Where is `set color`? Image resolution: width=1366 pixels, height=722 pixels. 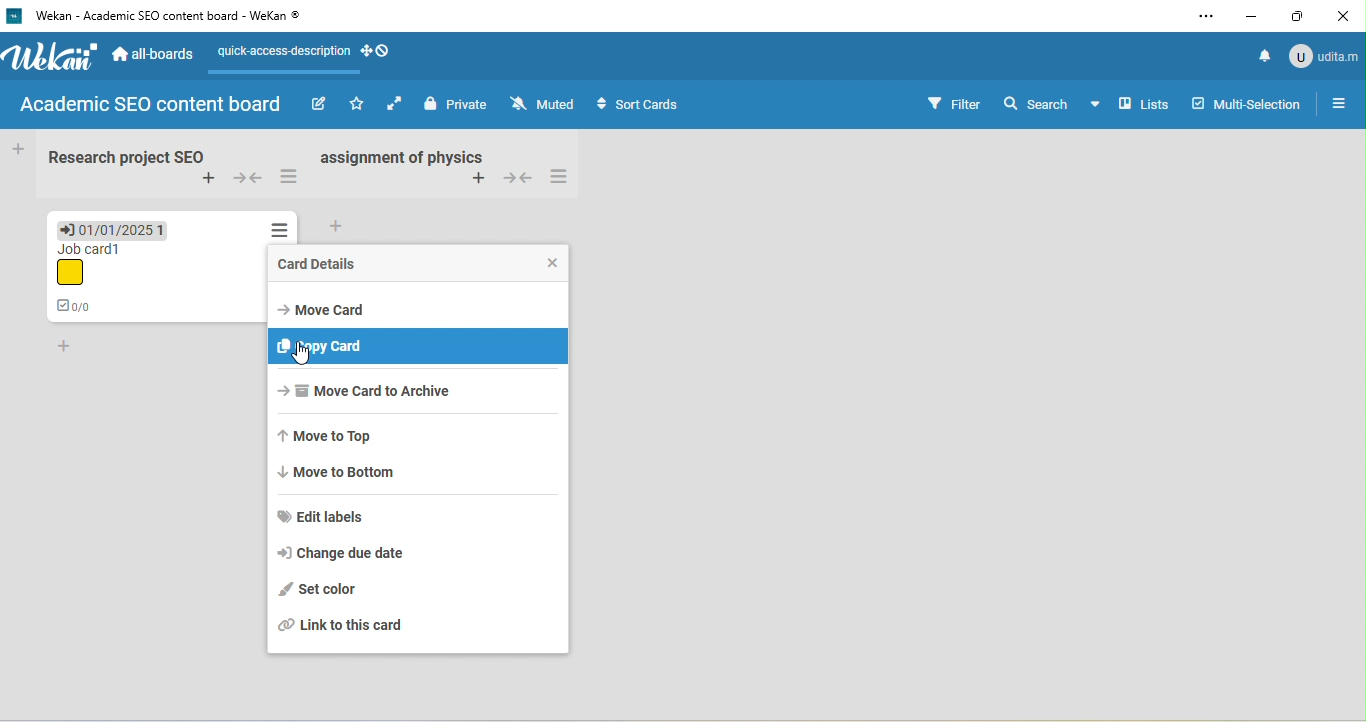 set color is located at coordinates (321, 589).